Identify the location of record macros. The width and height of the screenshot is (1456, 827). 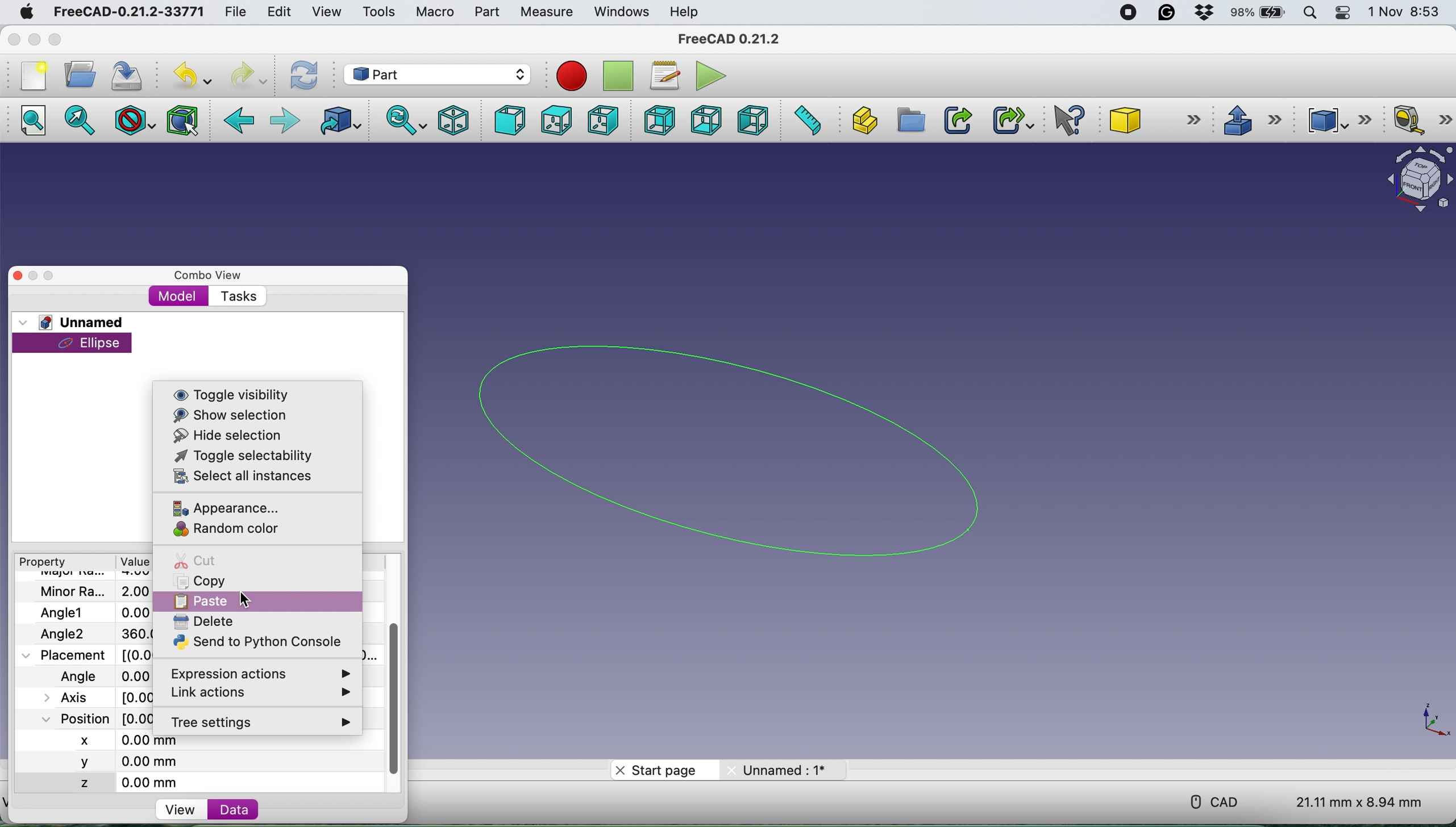
(571, 75).